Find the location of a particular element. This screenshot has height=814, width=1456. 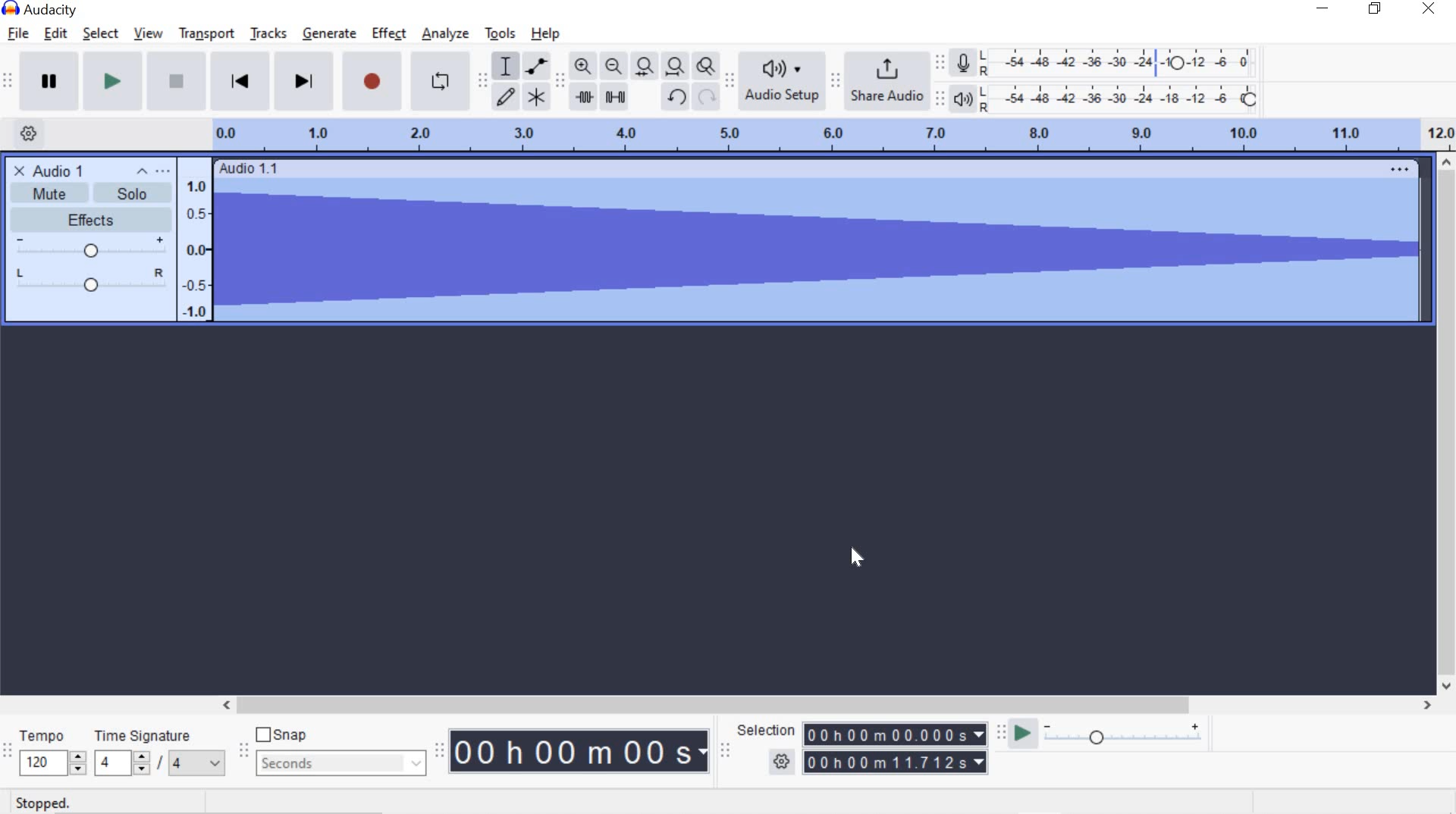

Audio setup is located at coordinates (783, 80).